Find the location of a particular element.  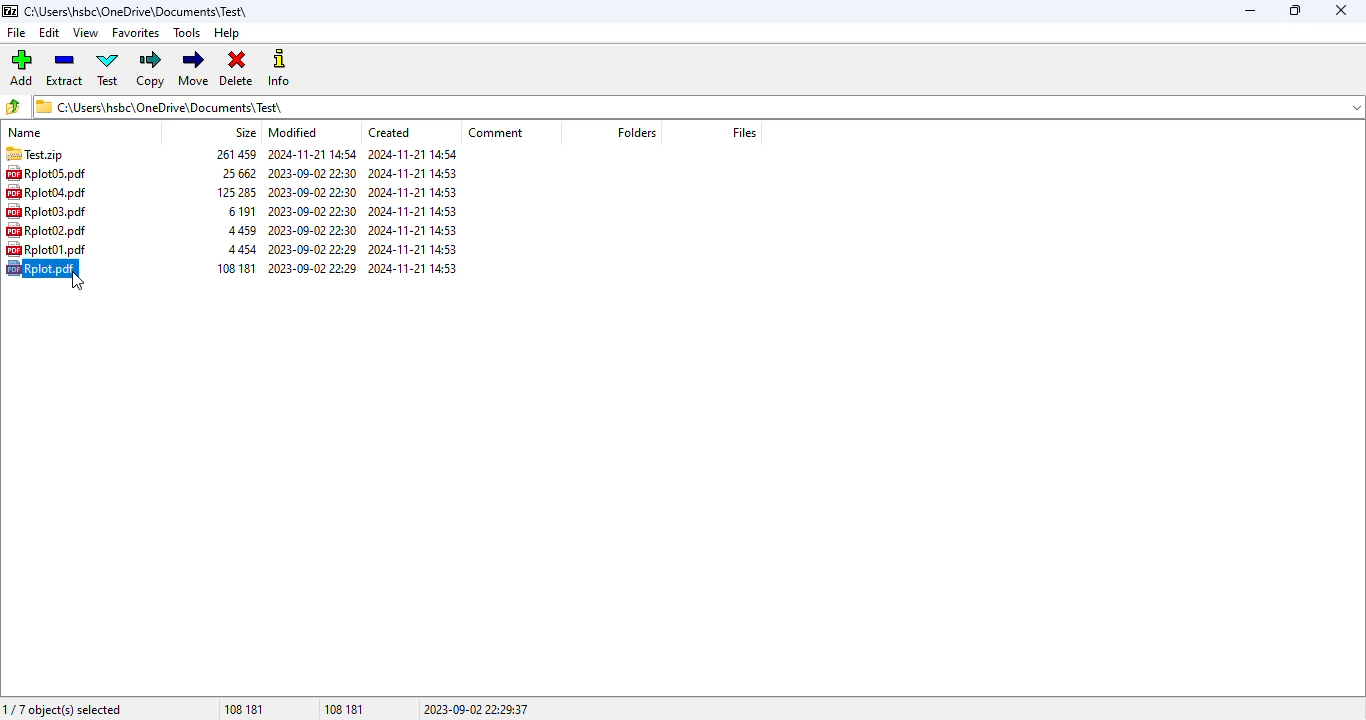

file is located at coordinates (16, 33).